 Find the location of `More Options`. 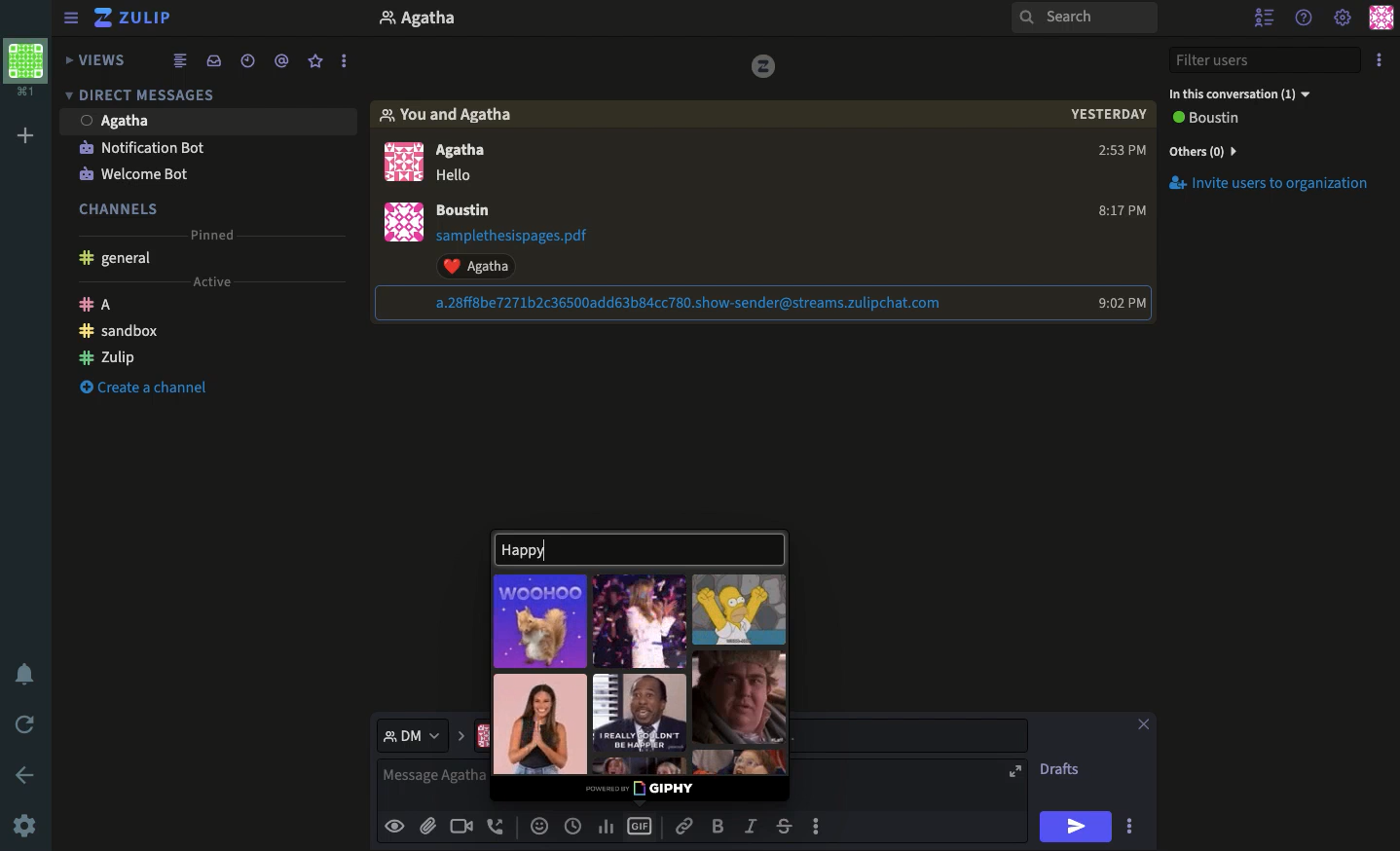

More Options is located at coordinates (1136, 826).